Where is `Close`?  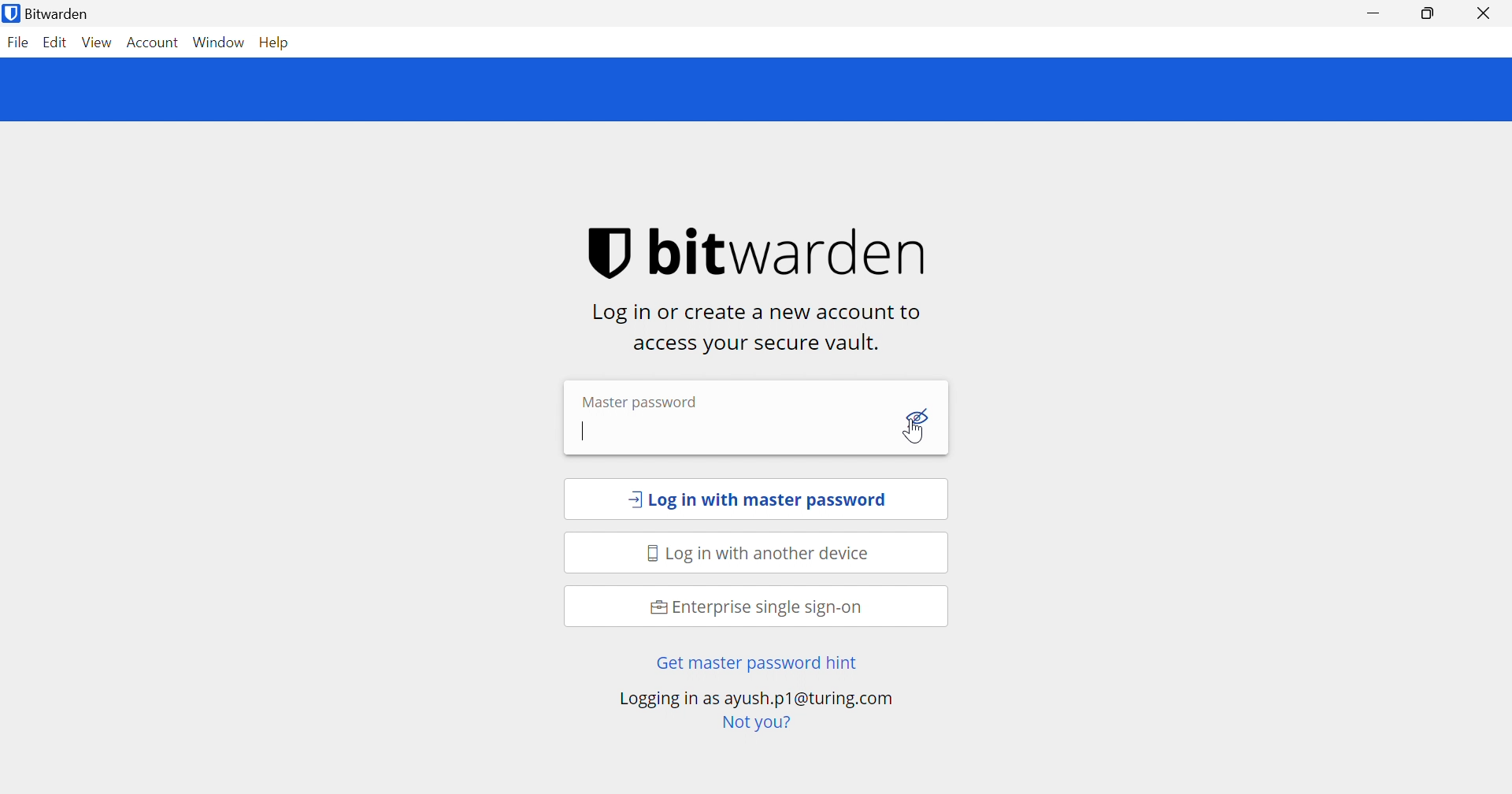
Close is located at coordinates (1485, 14).